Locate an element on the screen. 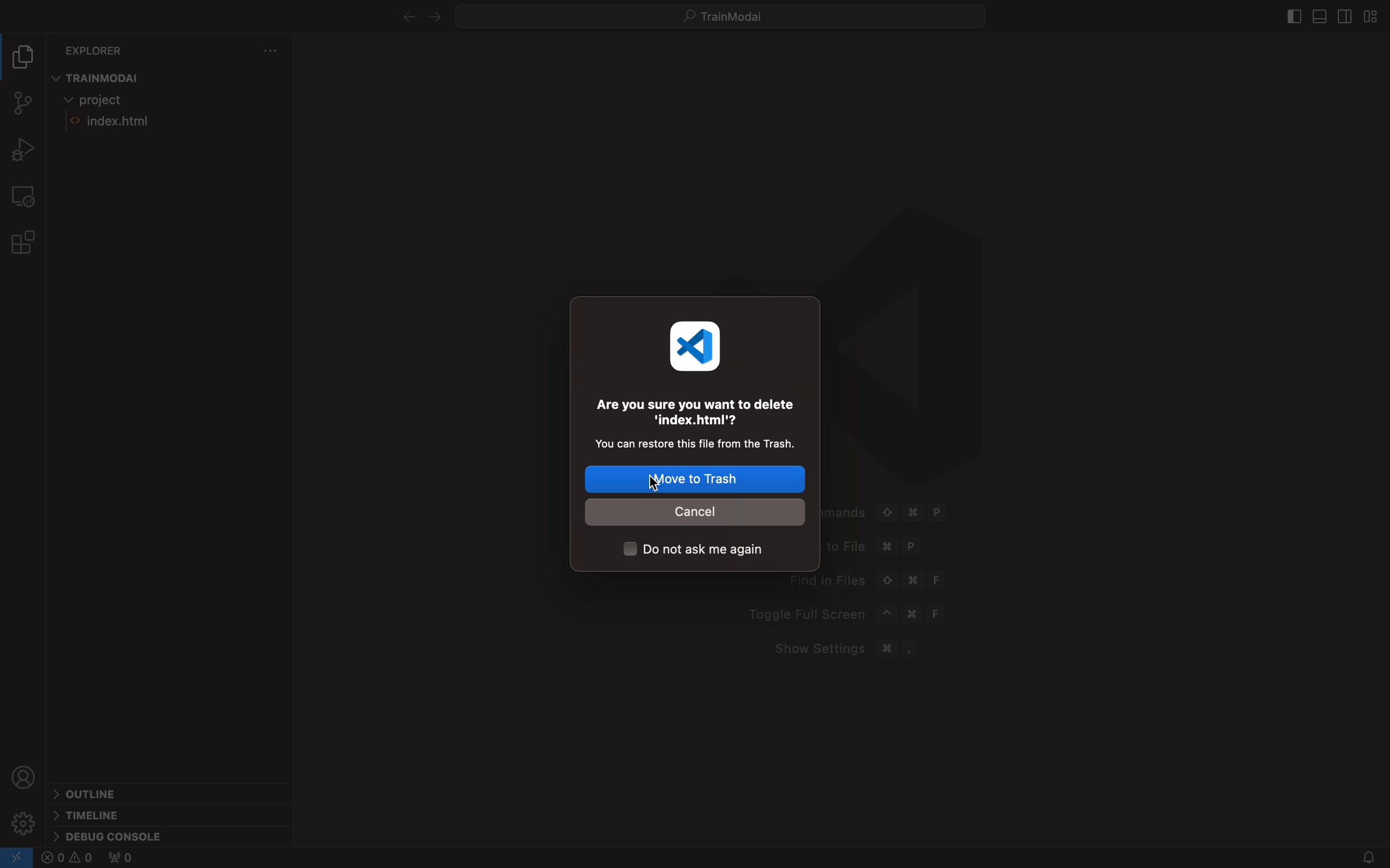  description is located at coordinates (694, 421).